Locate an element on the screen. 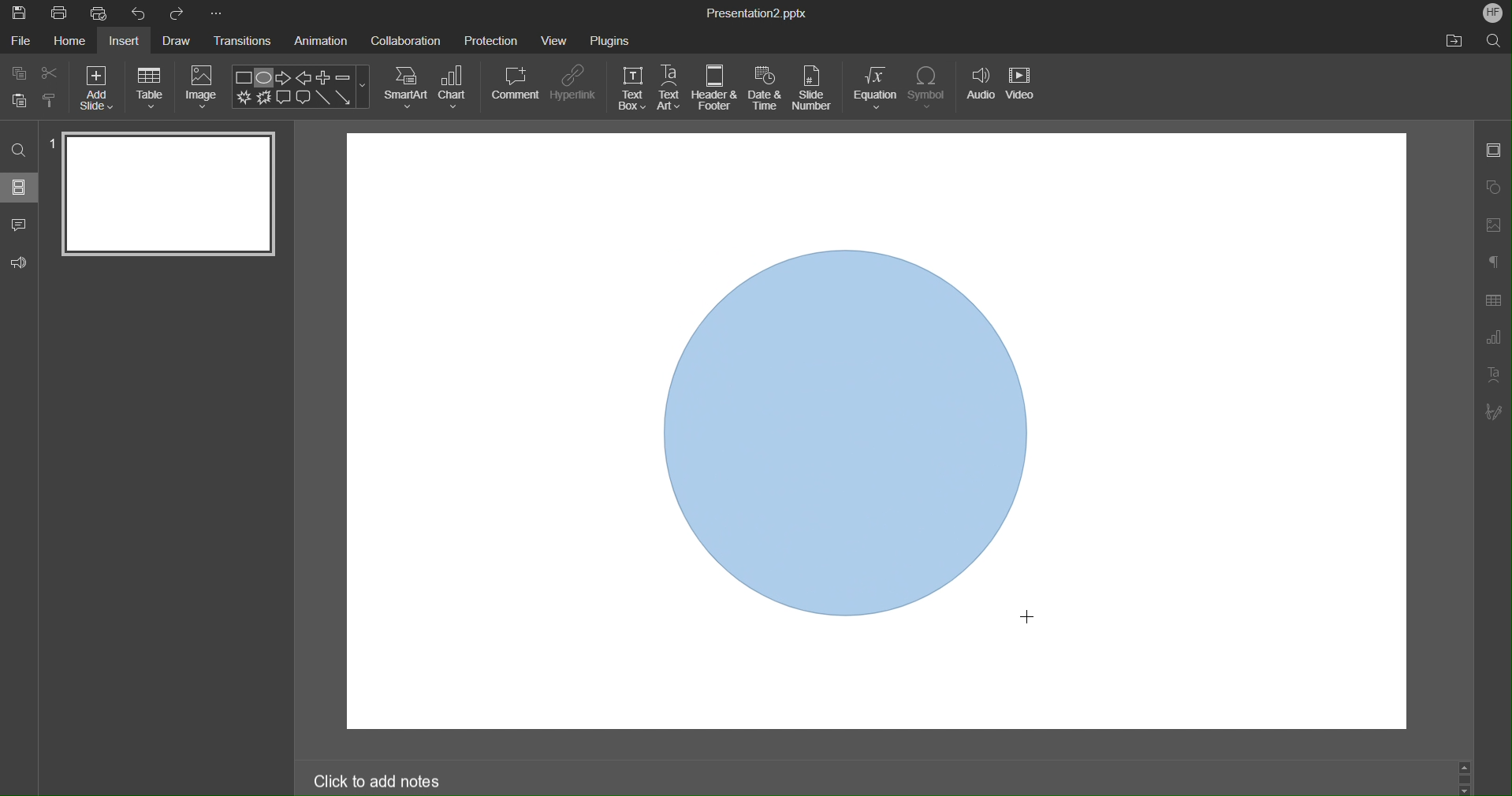 The width and height of the screenshot is (1512, 796). Account is located at coordinates (1490, 12).